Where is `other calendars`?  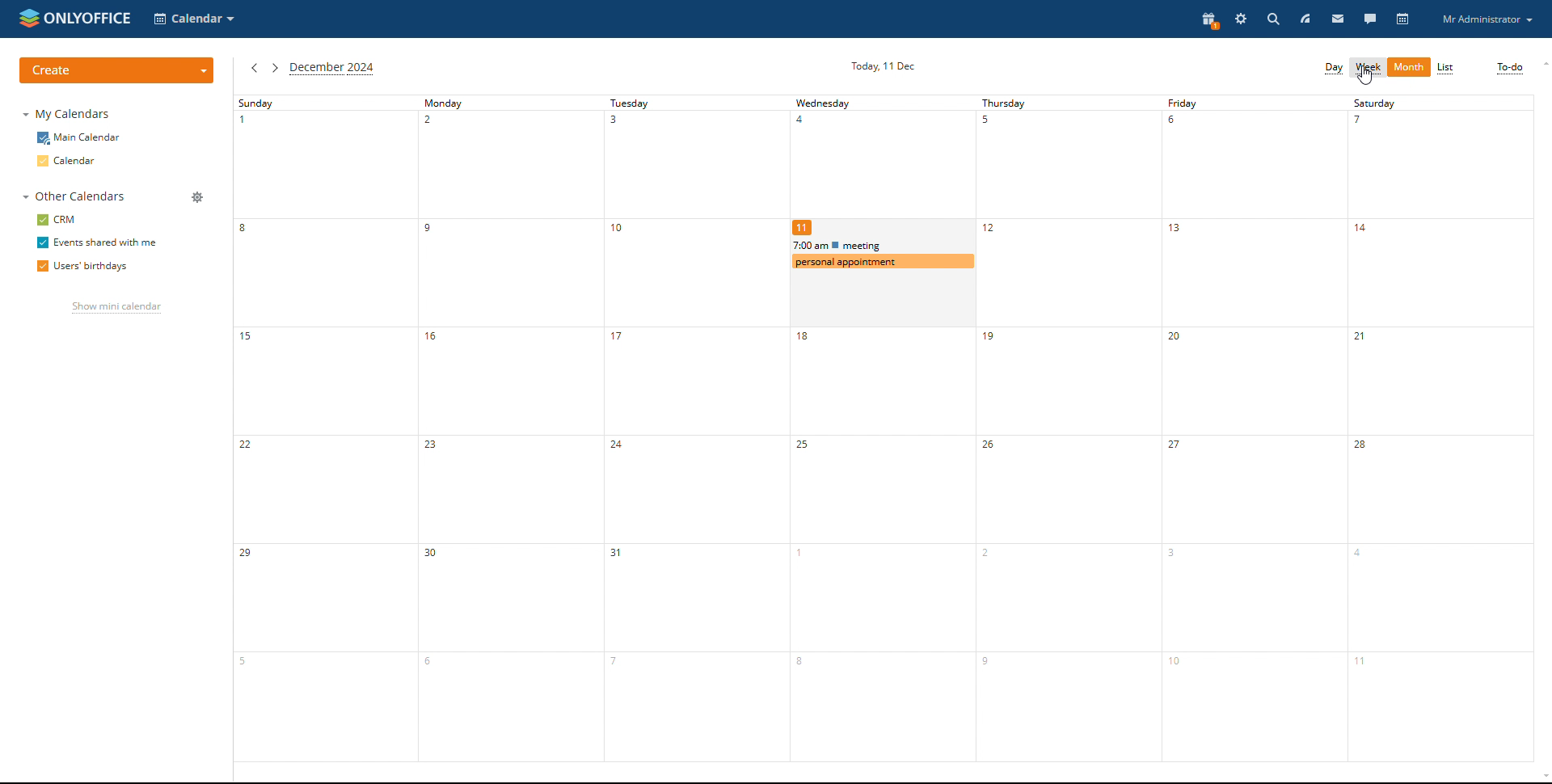 other calendars is located at coordinates (75, 196).